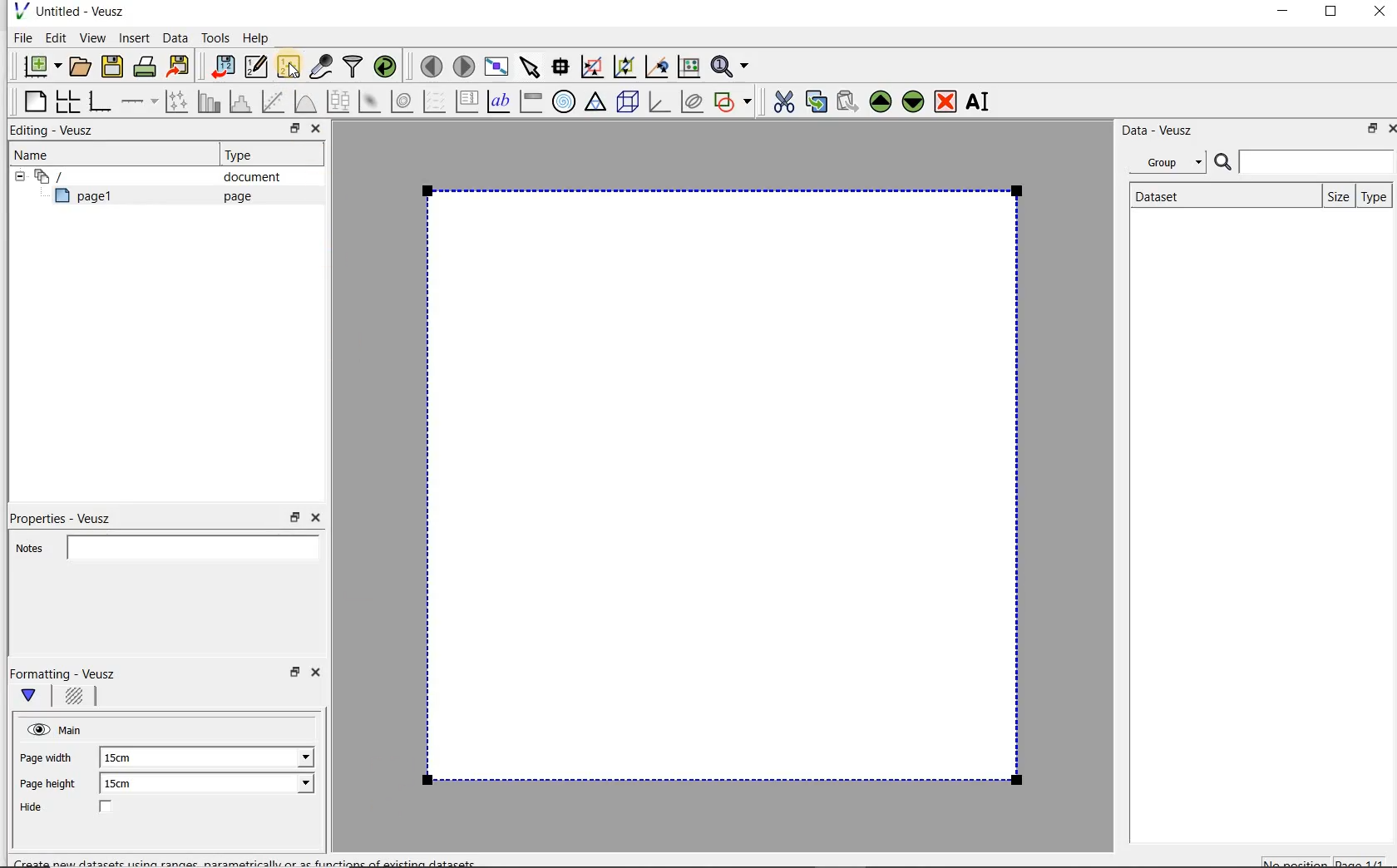 Image resolution: width=1397 pixels, height=868 pixels. Describe the element at coordinates (136, 37) in the screenshot. I see `Insert` at that location.